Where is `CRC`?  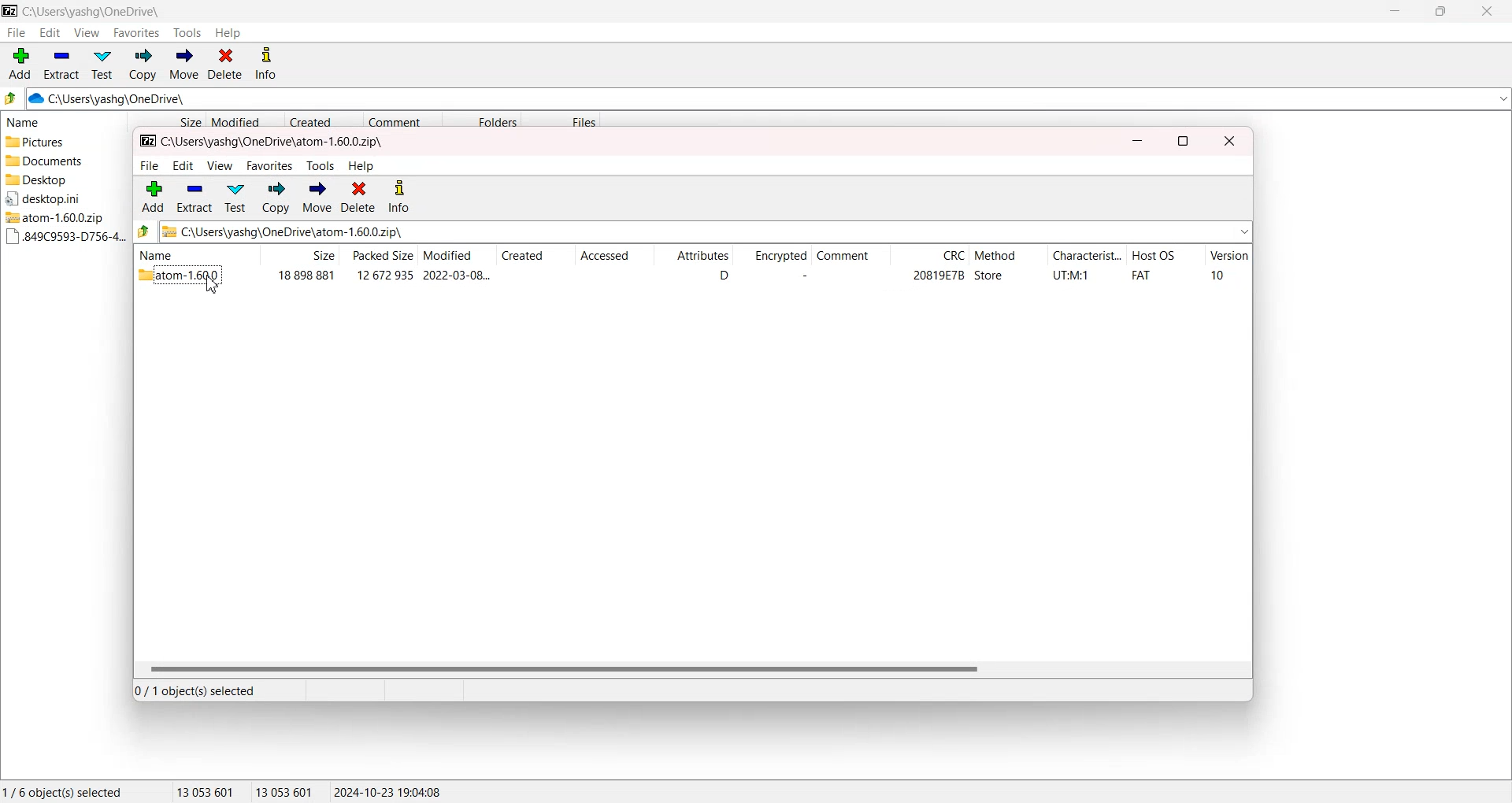
CRC is located at coordinates (929, 257).